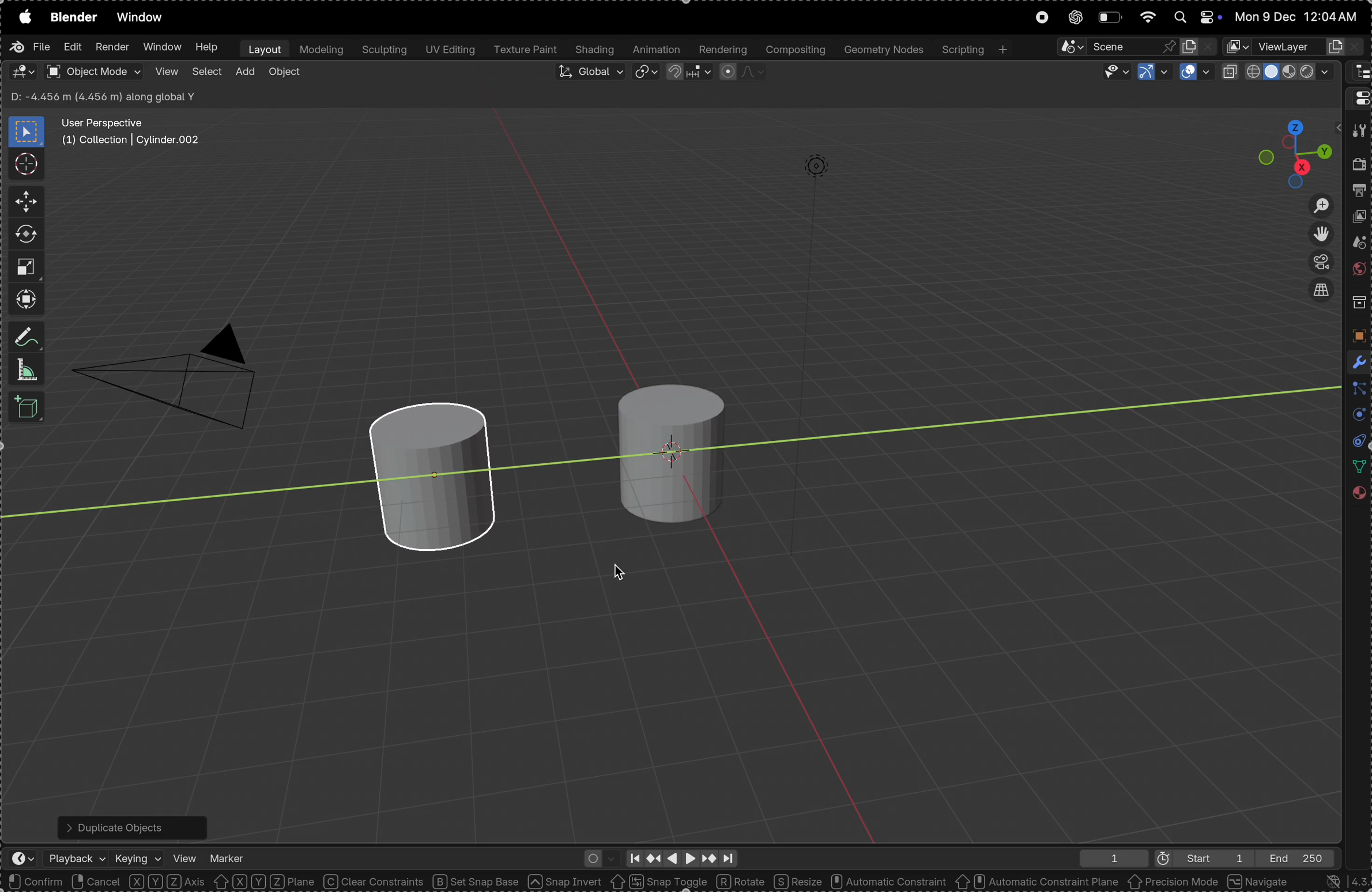  What do you see at coordinates (29, 409) in the screenshot?
I see `add cube` at bounding box center [29, 409].